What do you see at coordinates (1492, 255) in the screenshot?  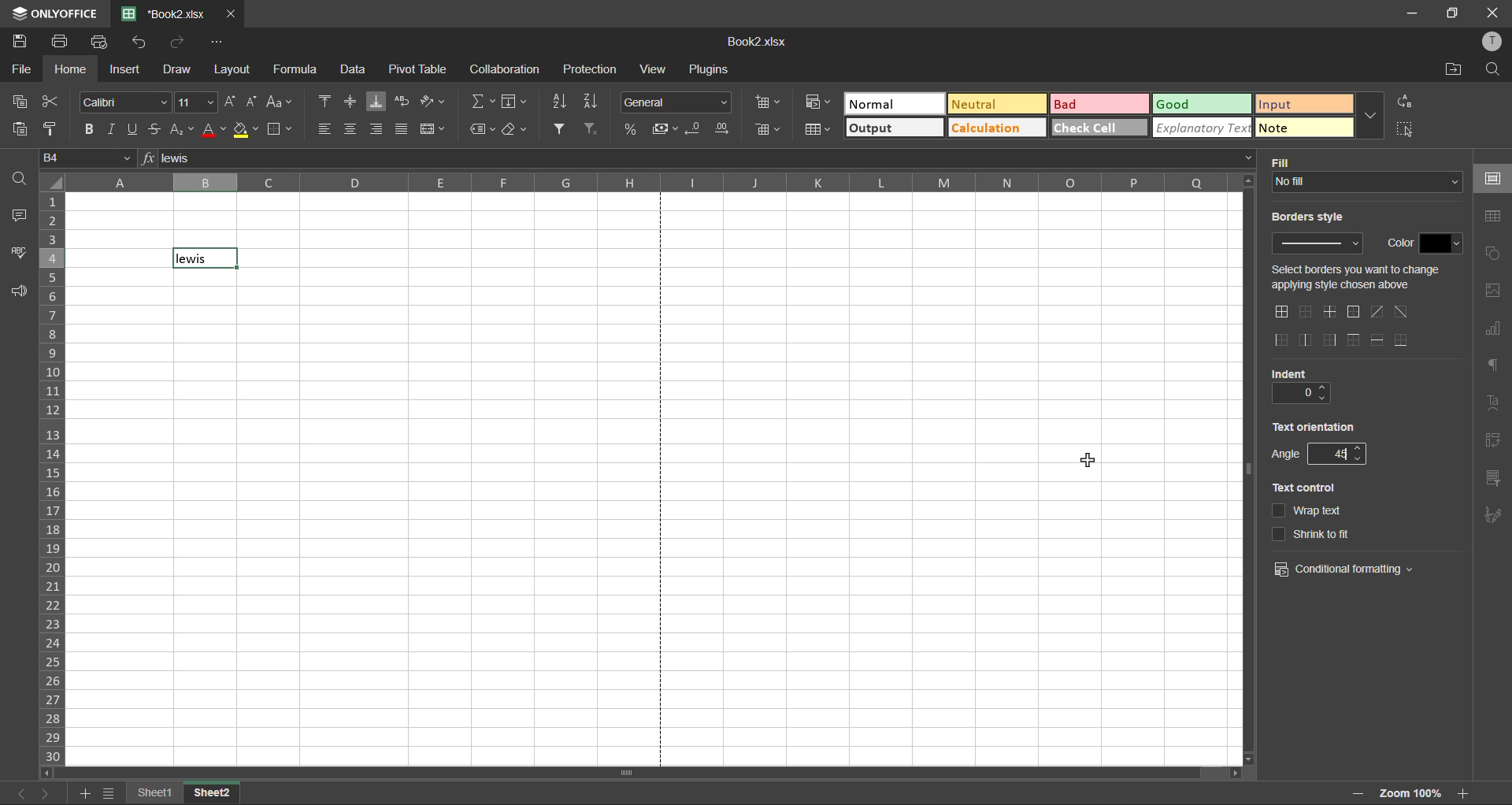 I see `shapes` at bounding box center [1492, 255].